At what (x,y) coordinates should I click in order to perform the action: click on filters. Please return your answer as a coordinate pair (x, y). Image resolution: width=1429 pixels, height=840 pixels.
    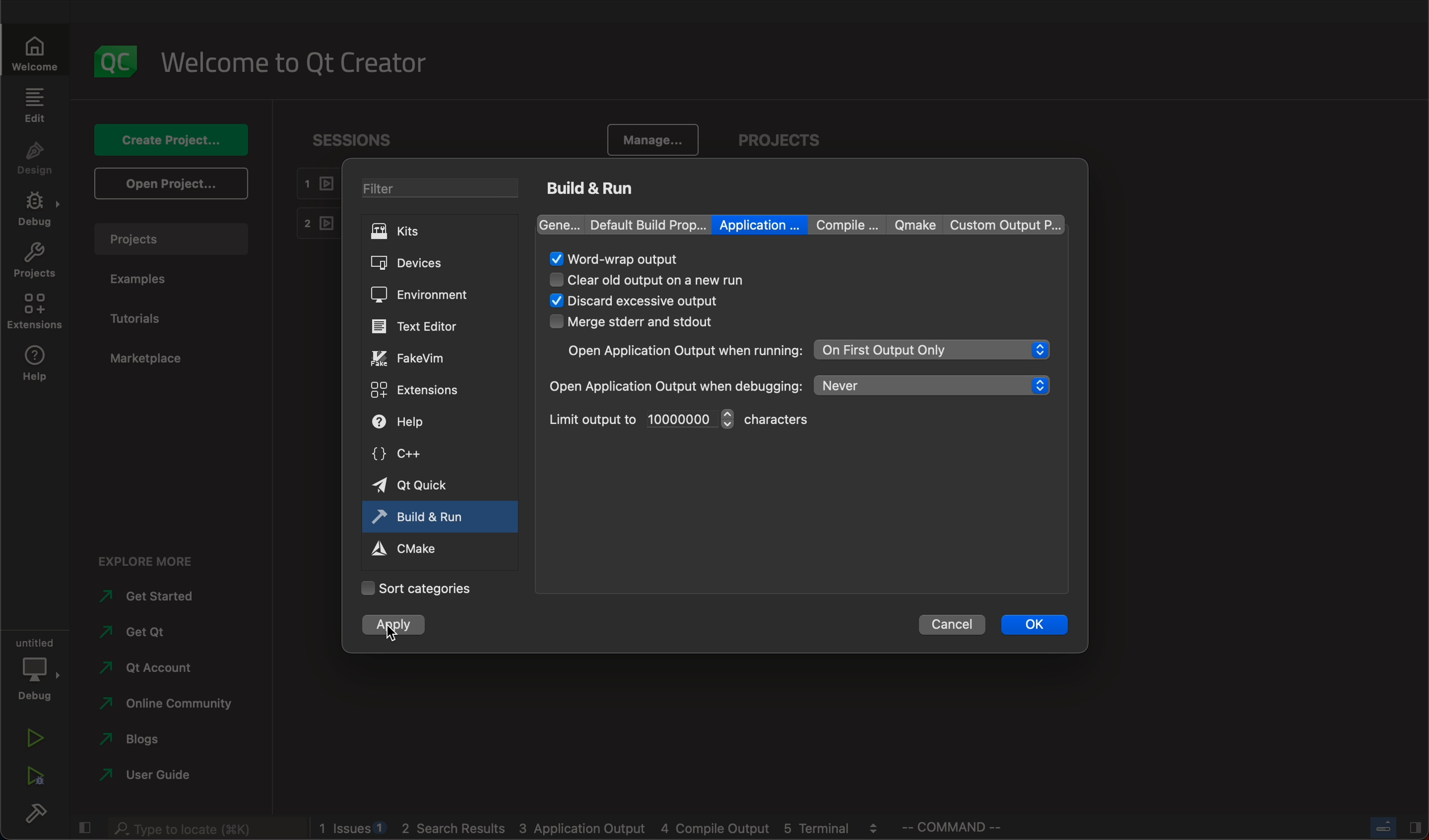
    Looking at the image, I should click on (441, 189).